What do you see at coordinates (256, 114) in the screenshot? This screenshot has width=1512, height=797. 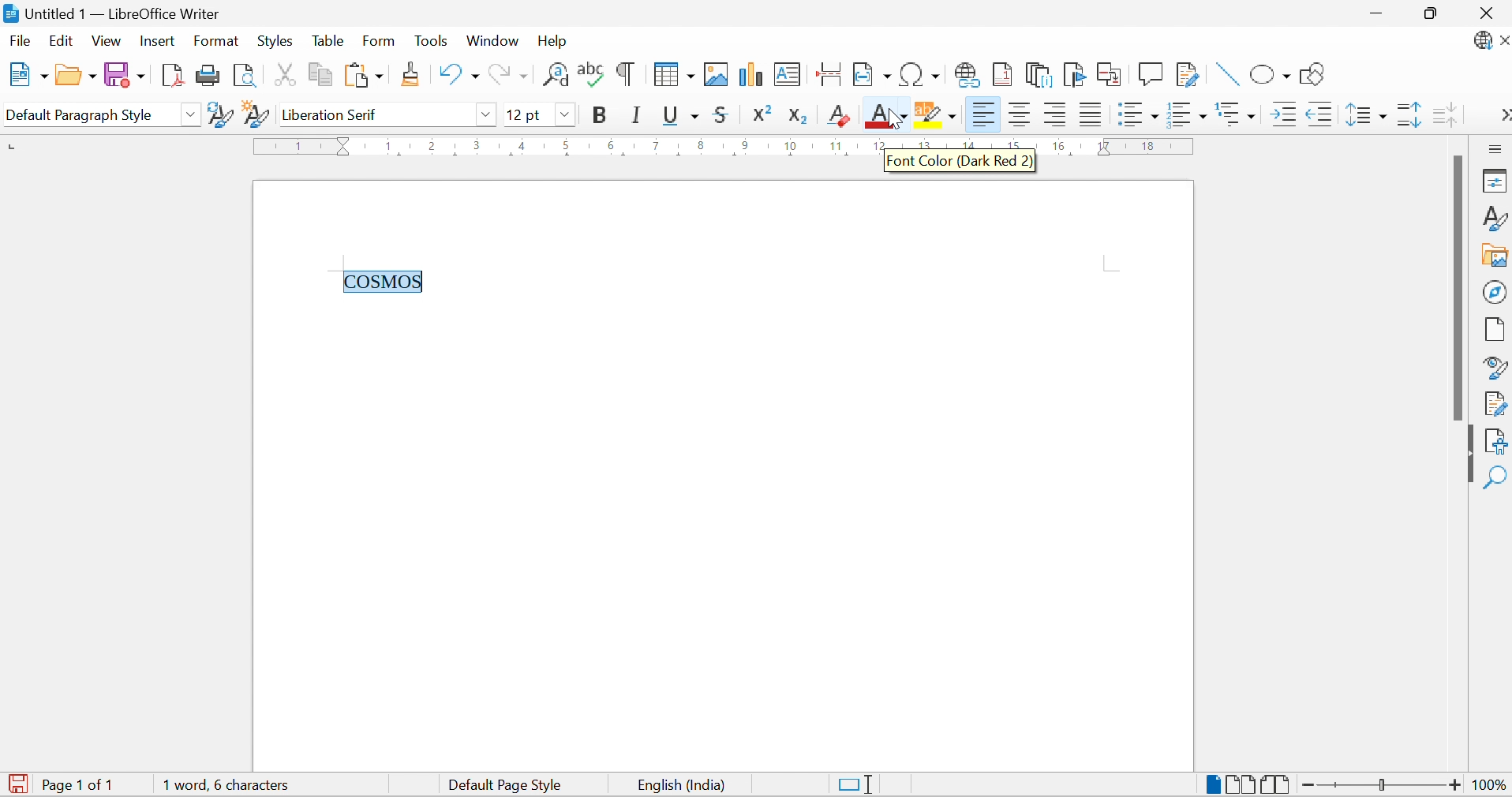 I see `New Style from Selection` at bounding box center [256, 114].